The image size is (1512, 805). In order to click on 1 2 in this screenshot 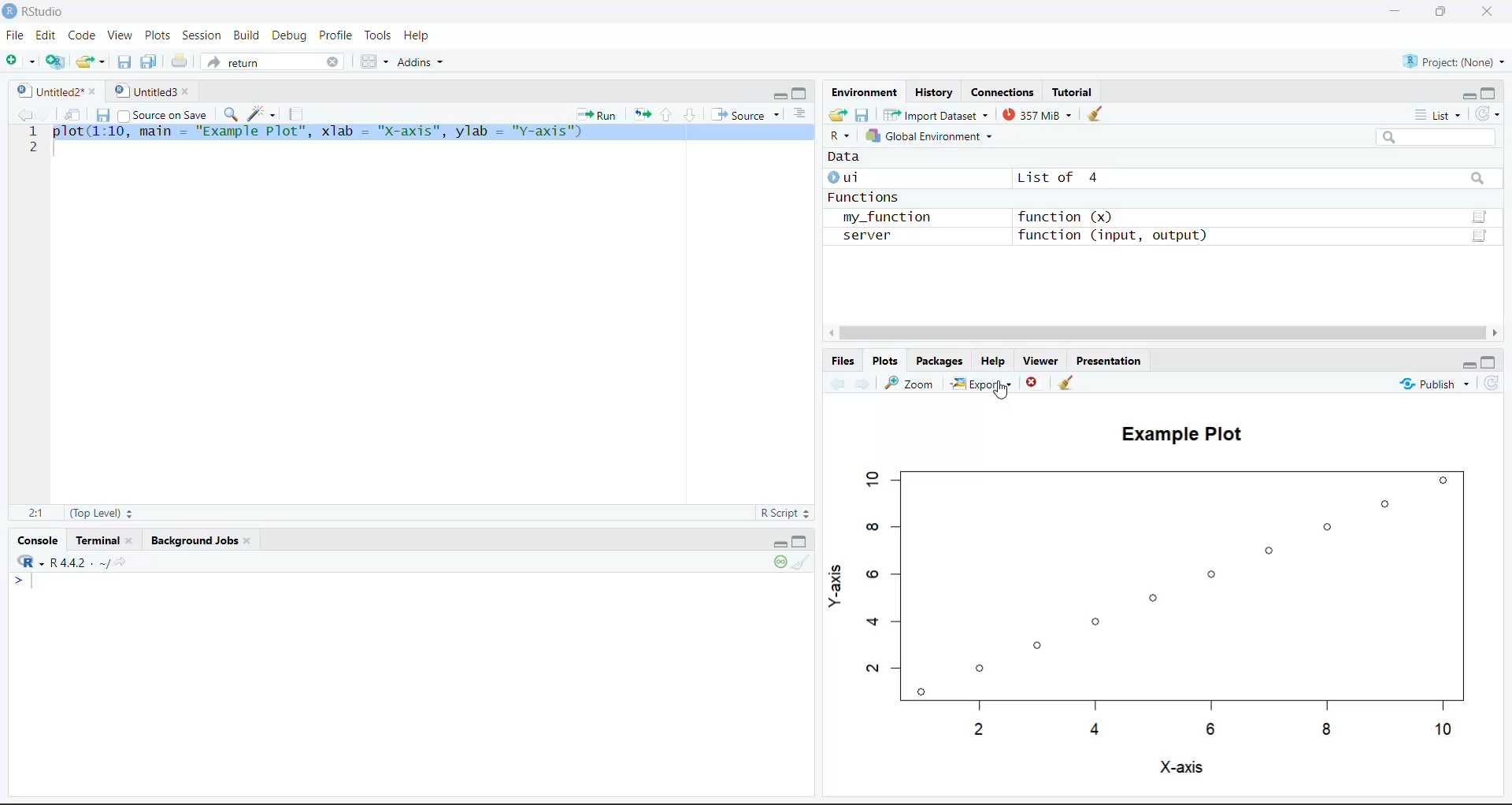, I will do `click(33, 141)`.